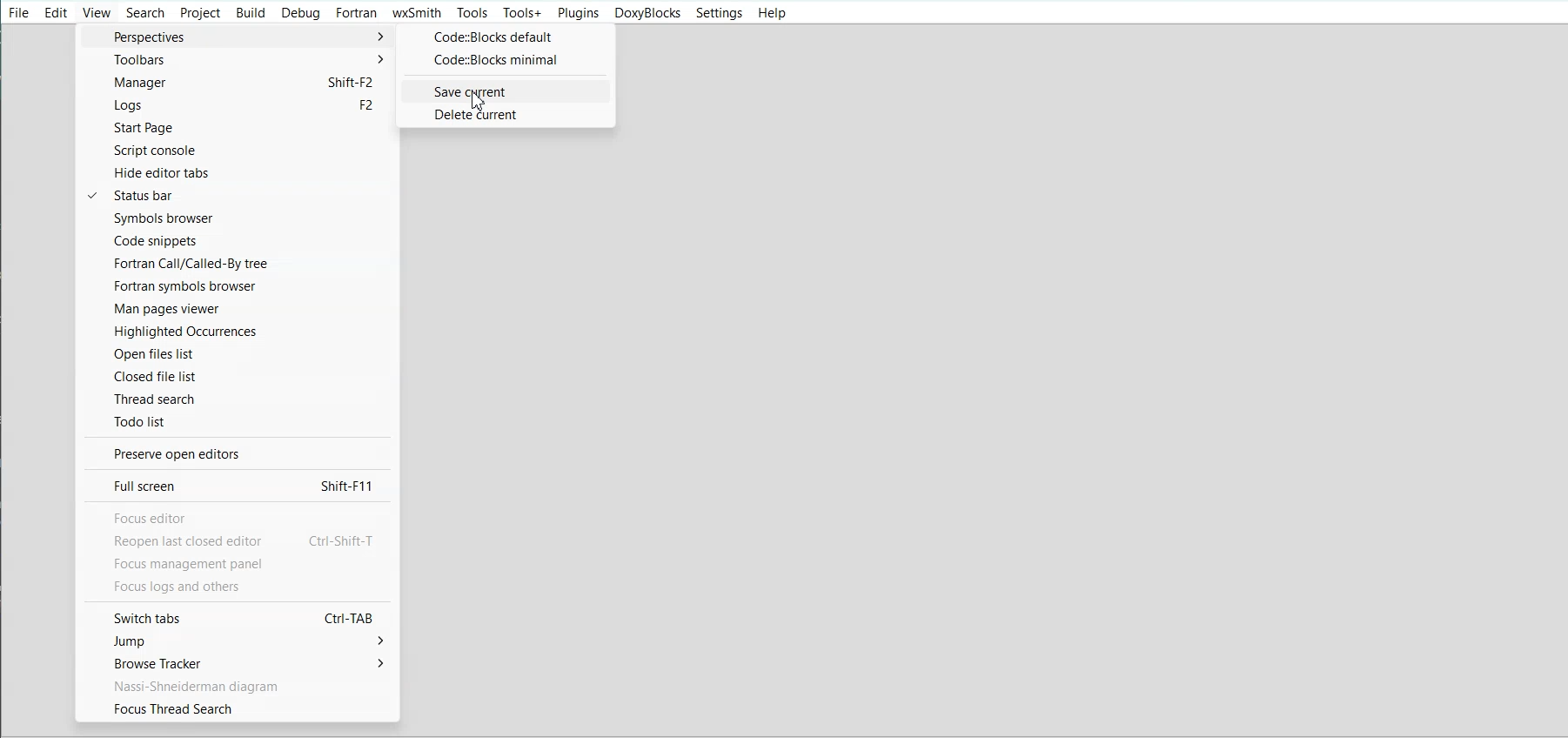 The width and height of the screenshot is (1568, 738). Describe the element at coordinates (719, 13) in the screenshot. I see `Settings` at that location.